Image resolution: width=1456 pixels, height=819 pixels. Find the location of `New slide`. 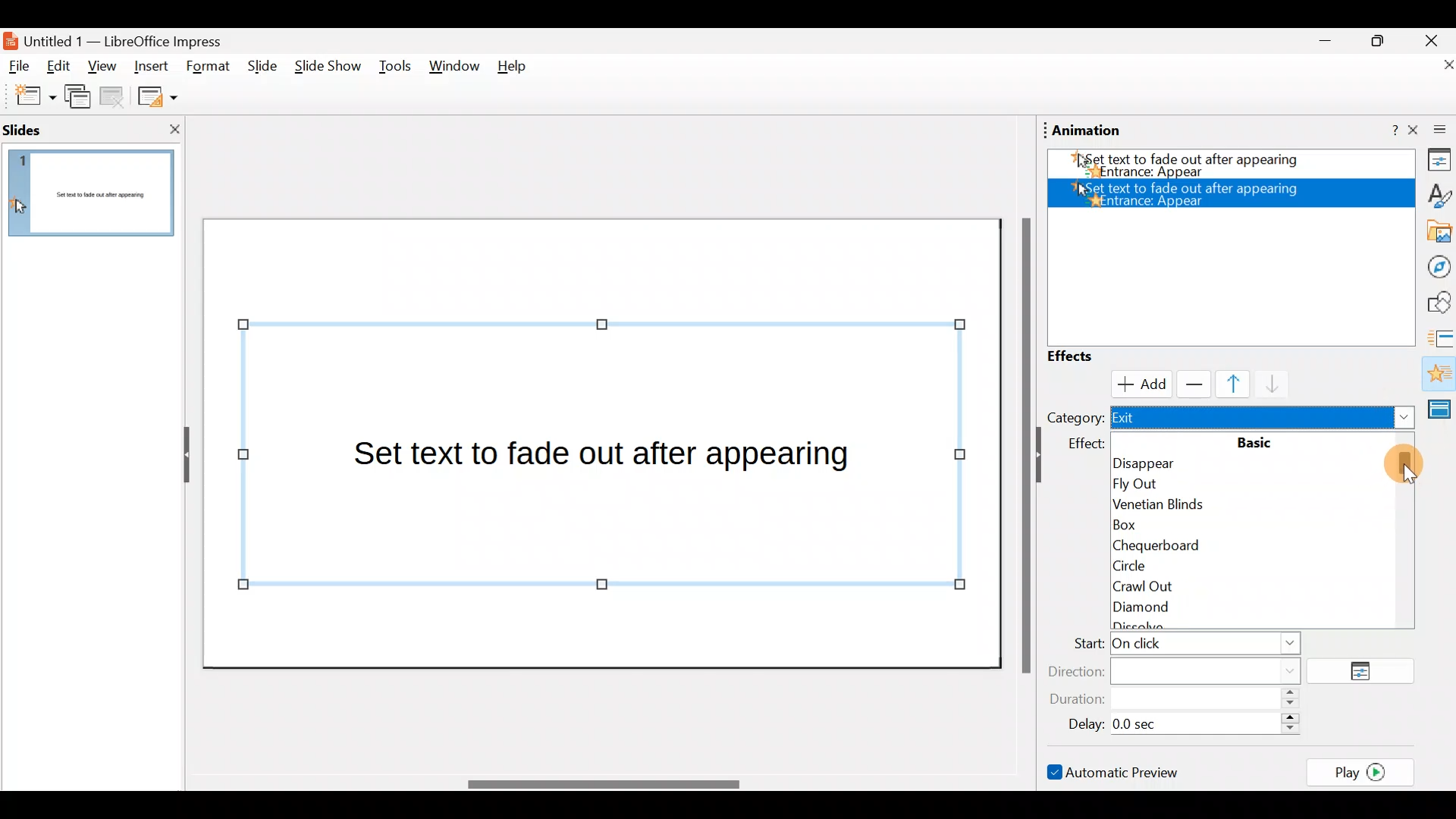

New slide is located at coordinates (28, 96).